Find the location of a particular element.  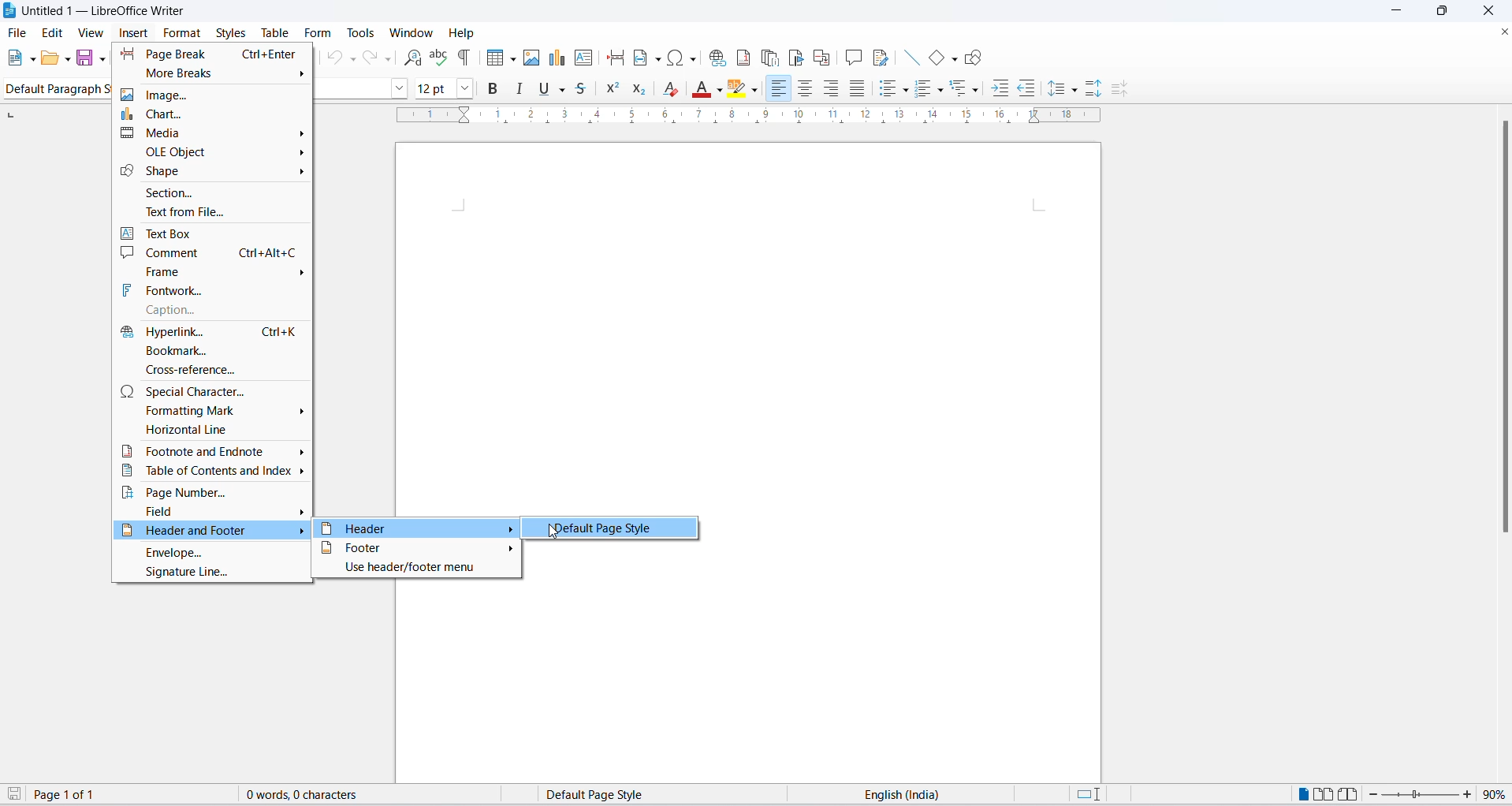

page style is located at coordinates (605, 794).